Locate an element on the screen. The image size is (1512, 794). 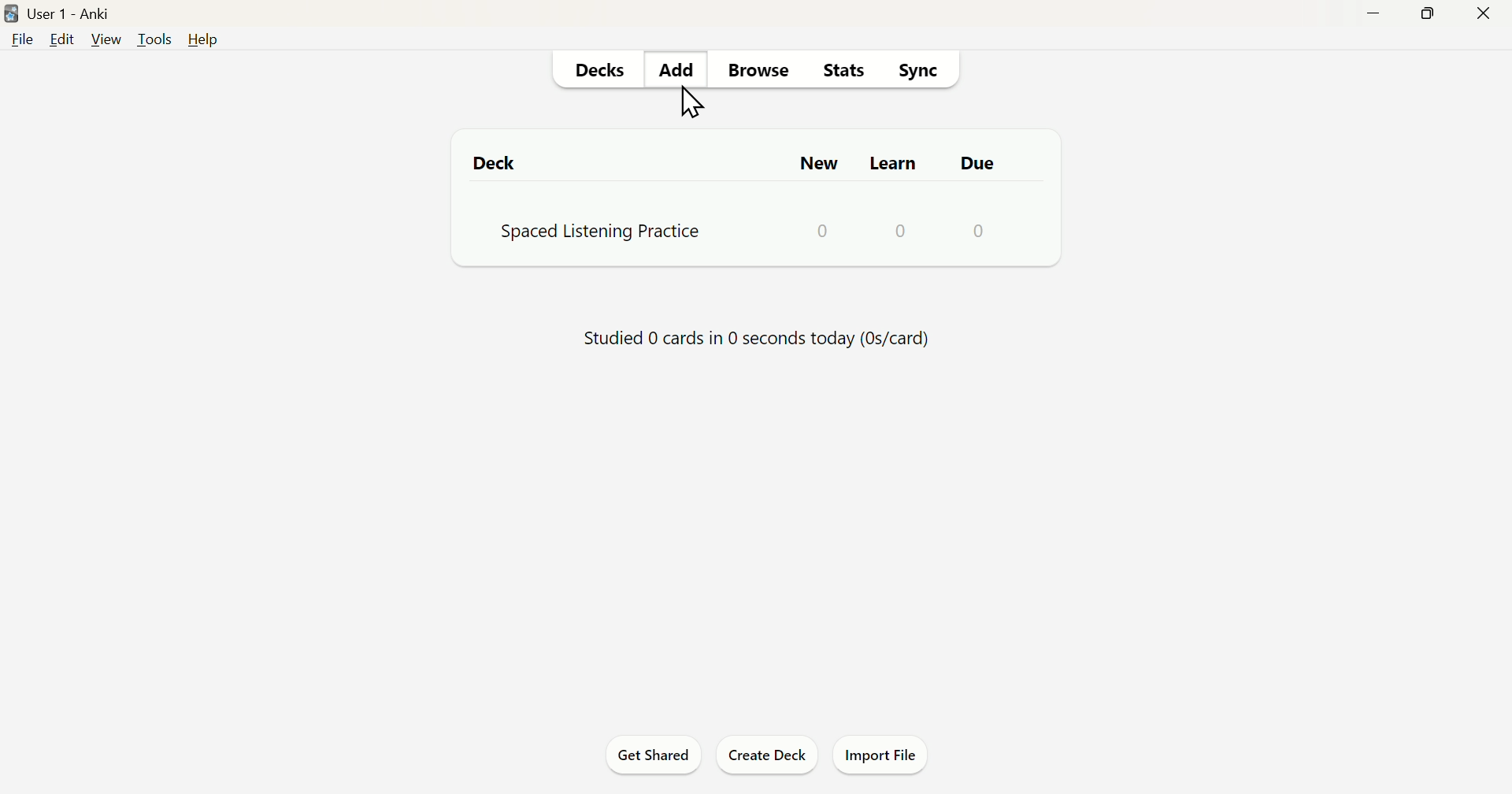
Tools is located at coordinates (153, 40).